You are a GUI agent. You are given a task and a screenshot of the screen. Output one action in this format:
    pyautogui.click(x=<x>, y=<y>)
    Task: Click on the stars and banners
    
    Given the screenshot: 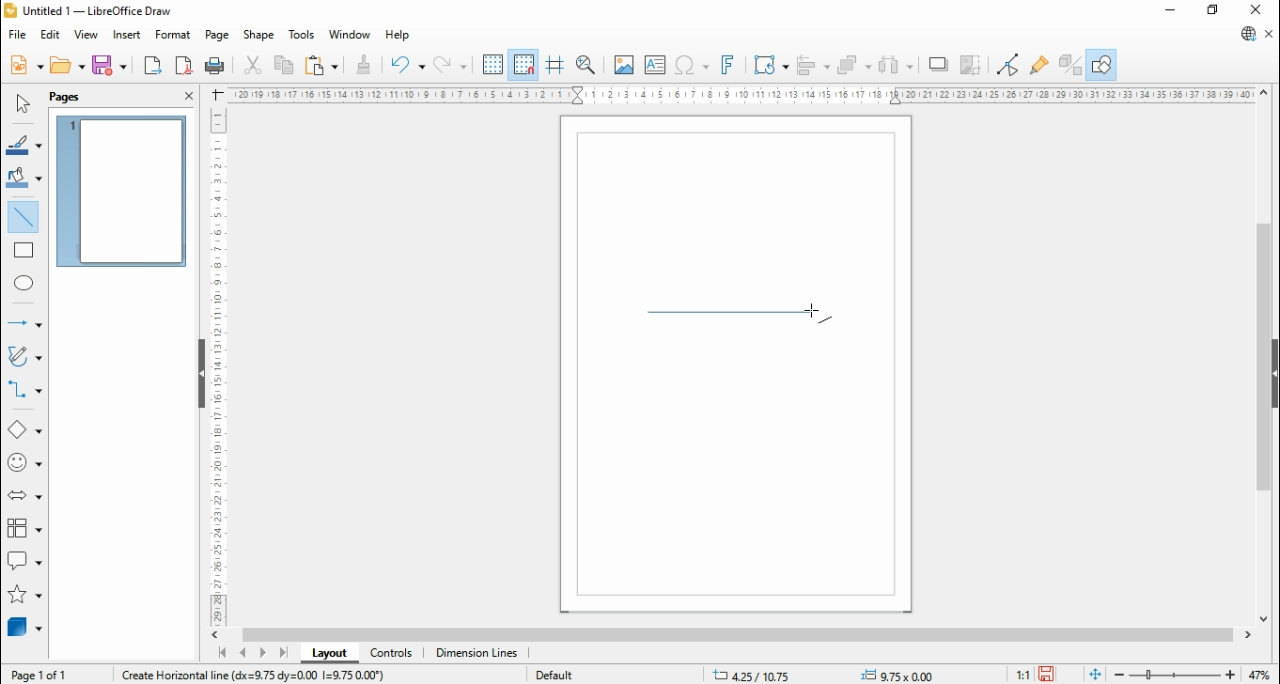 What is the action you would take?
    pyautogui.click(x=22, y=593)
    